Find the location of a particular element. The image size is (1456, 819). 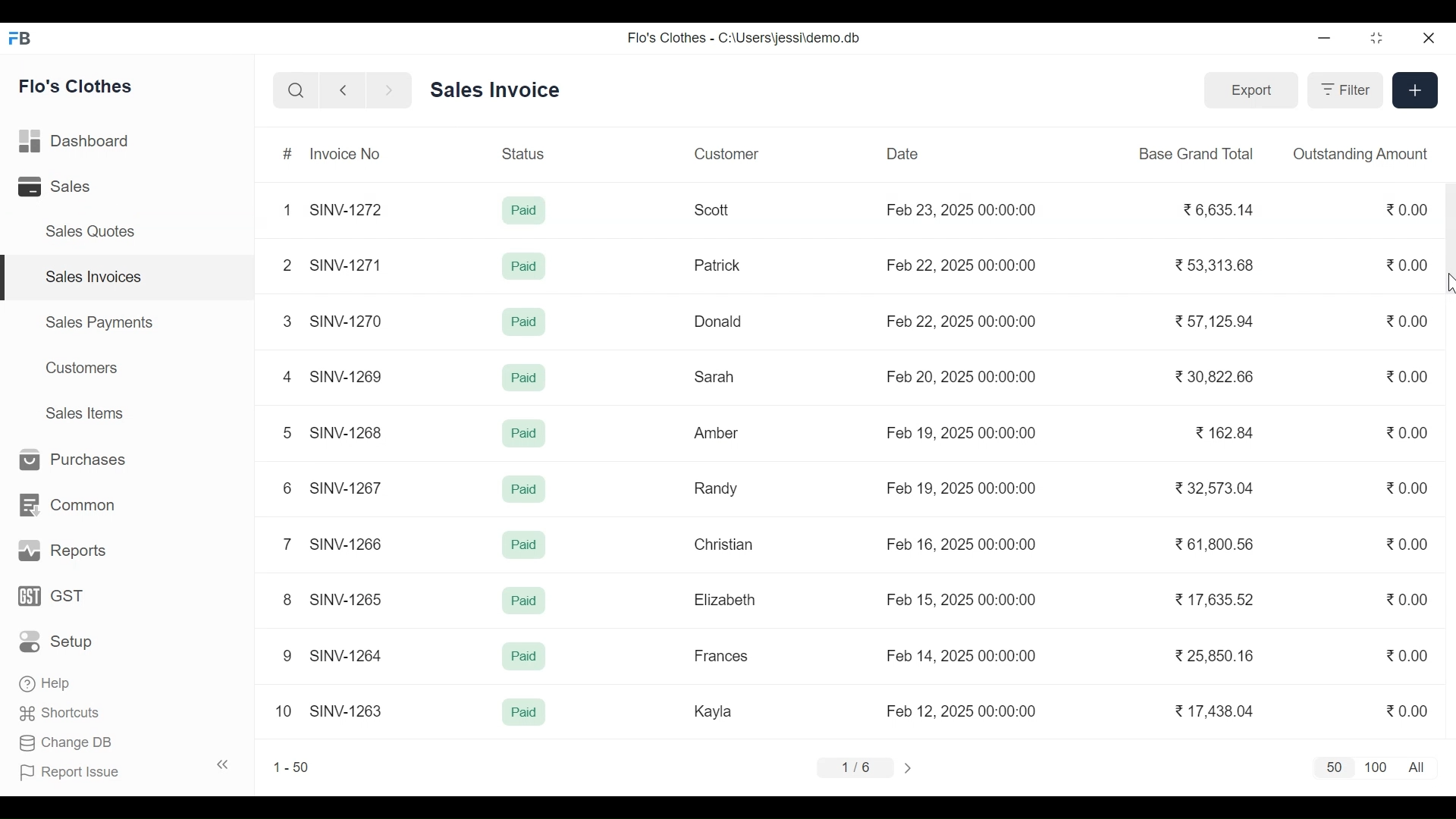

SINV-1264 is located at coordinates (350, 654).